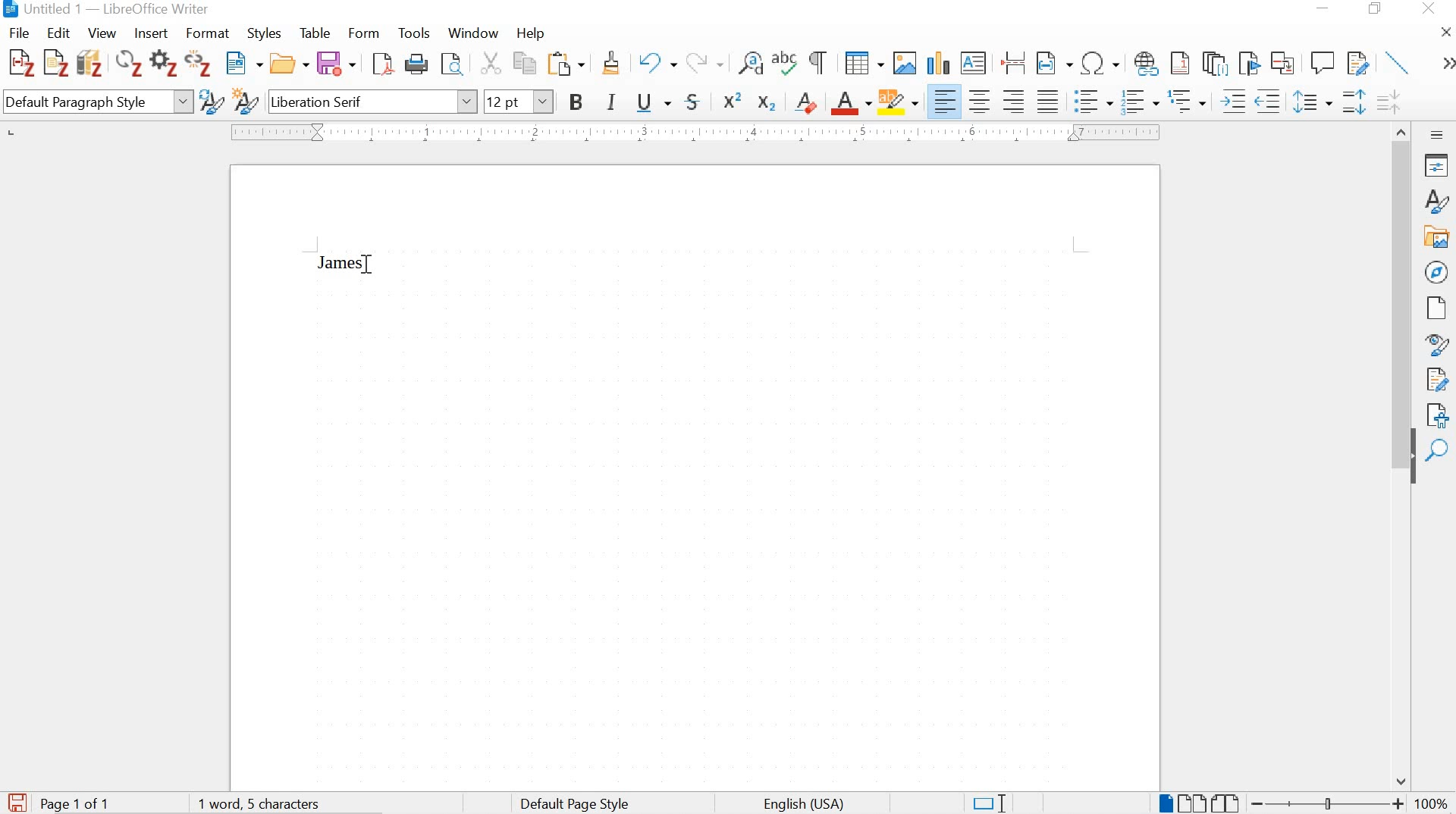  I want to click on Untitled 1 — LibreOffice Writer, so click(105, 9).